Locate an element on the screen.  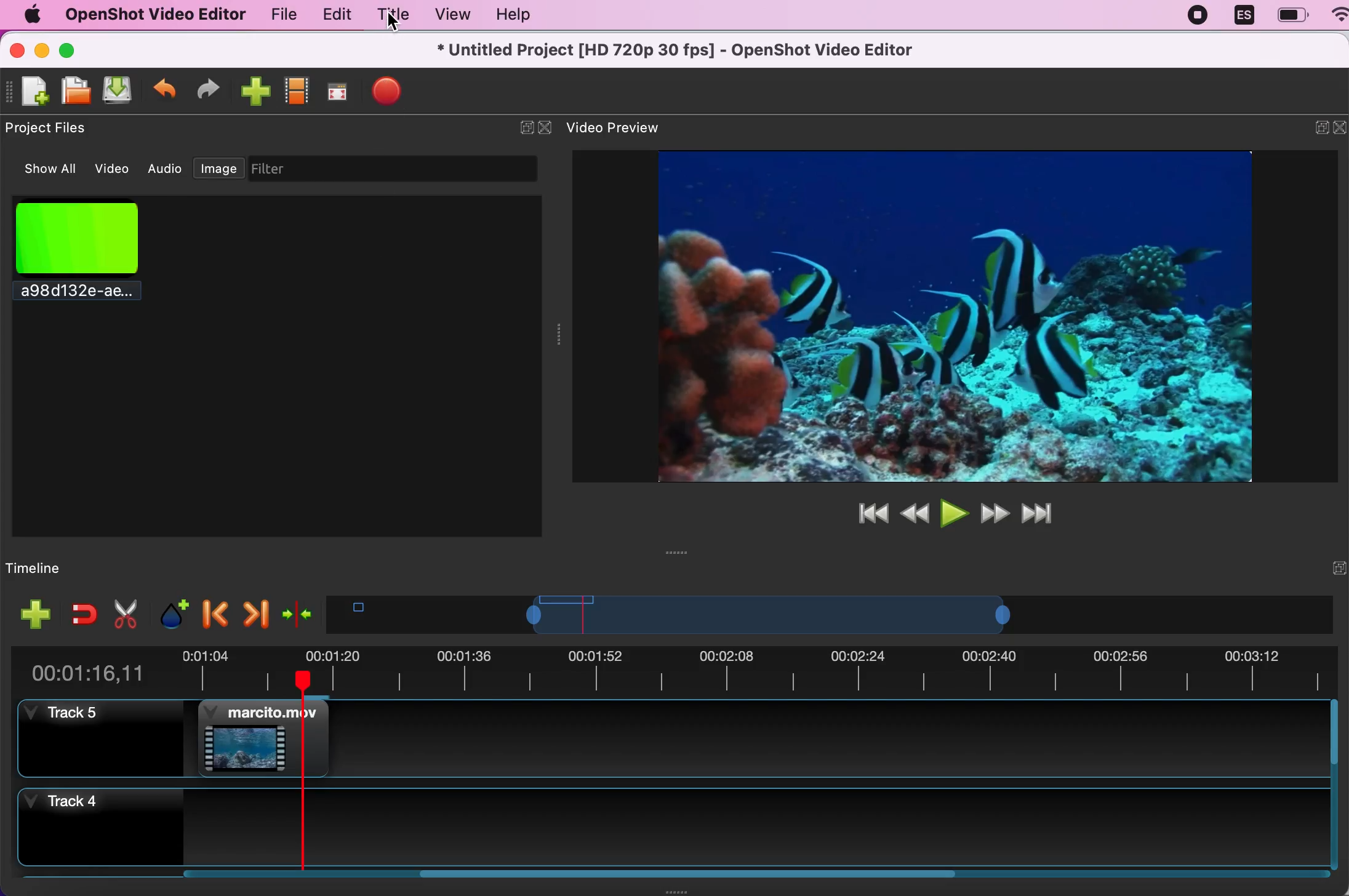
battery is located at coordinates (1292, 15).